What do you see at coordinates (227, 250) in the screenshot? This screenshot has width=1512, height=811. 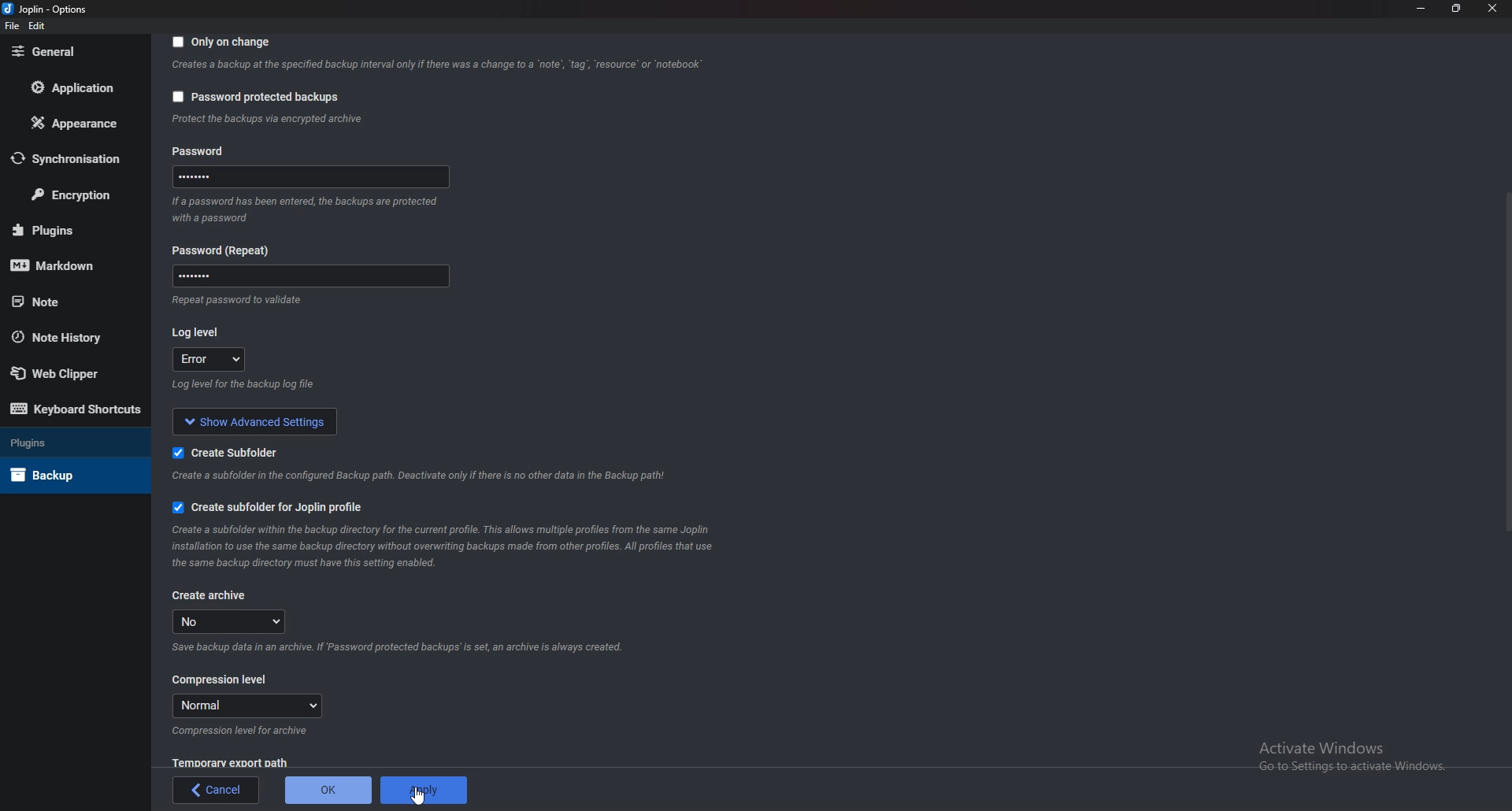 I see `Password` at bounding box center [227, 250].